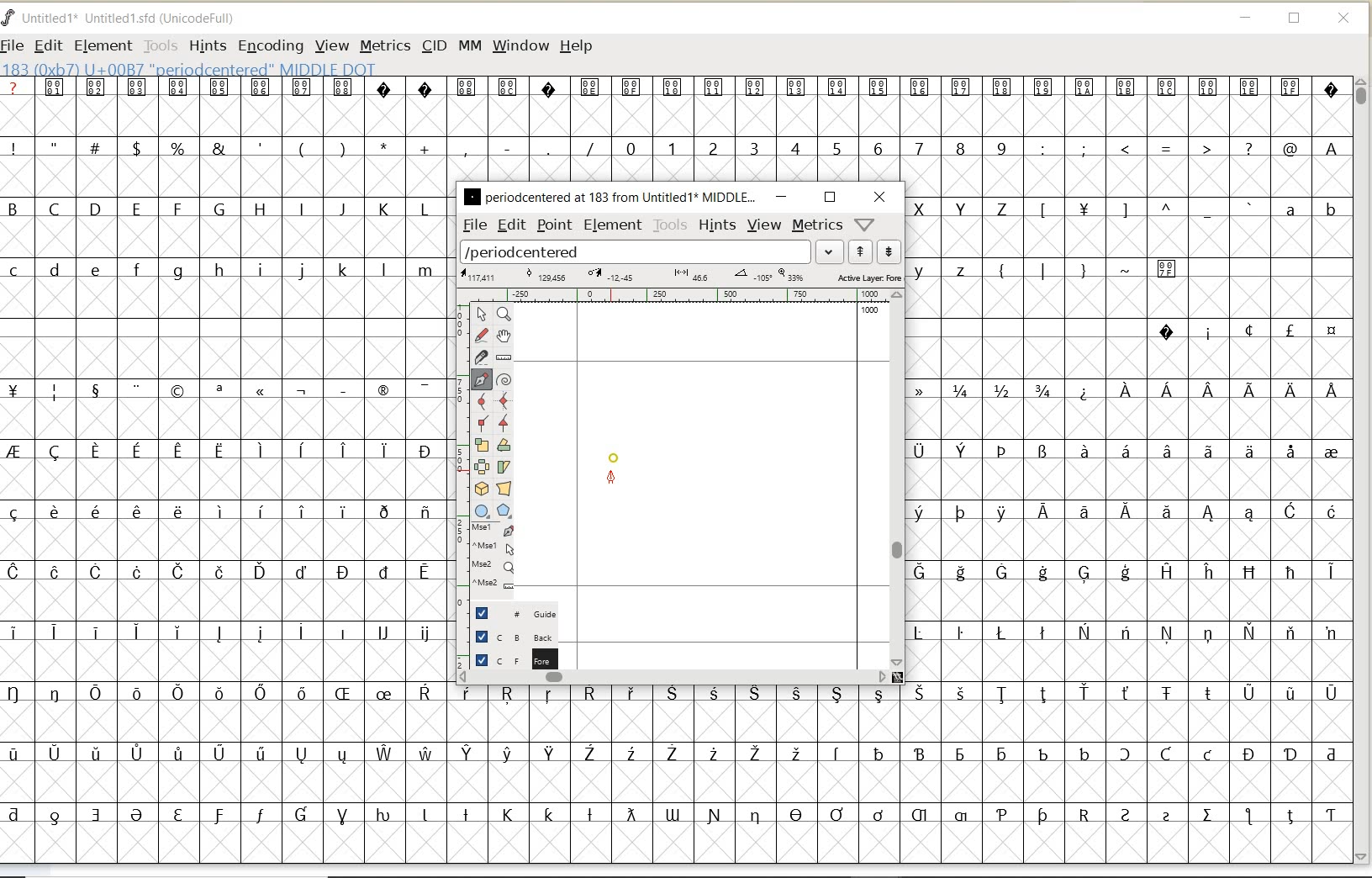 The image size is (1372, 878). I want to click on polygon or star, so click(506, 511).